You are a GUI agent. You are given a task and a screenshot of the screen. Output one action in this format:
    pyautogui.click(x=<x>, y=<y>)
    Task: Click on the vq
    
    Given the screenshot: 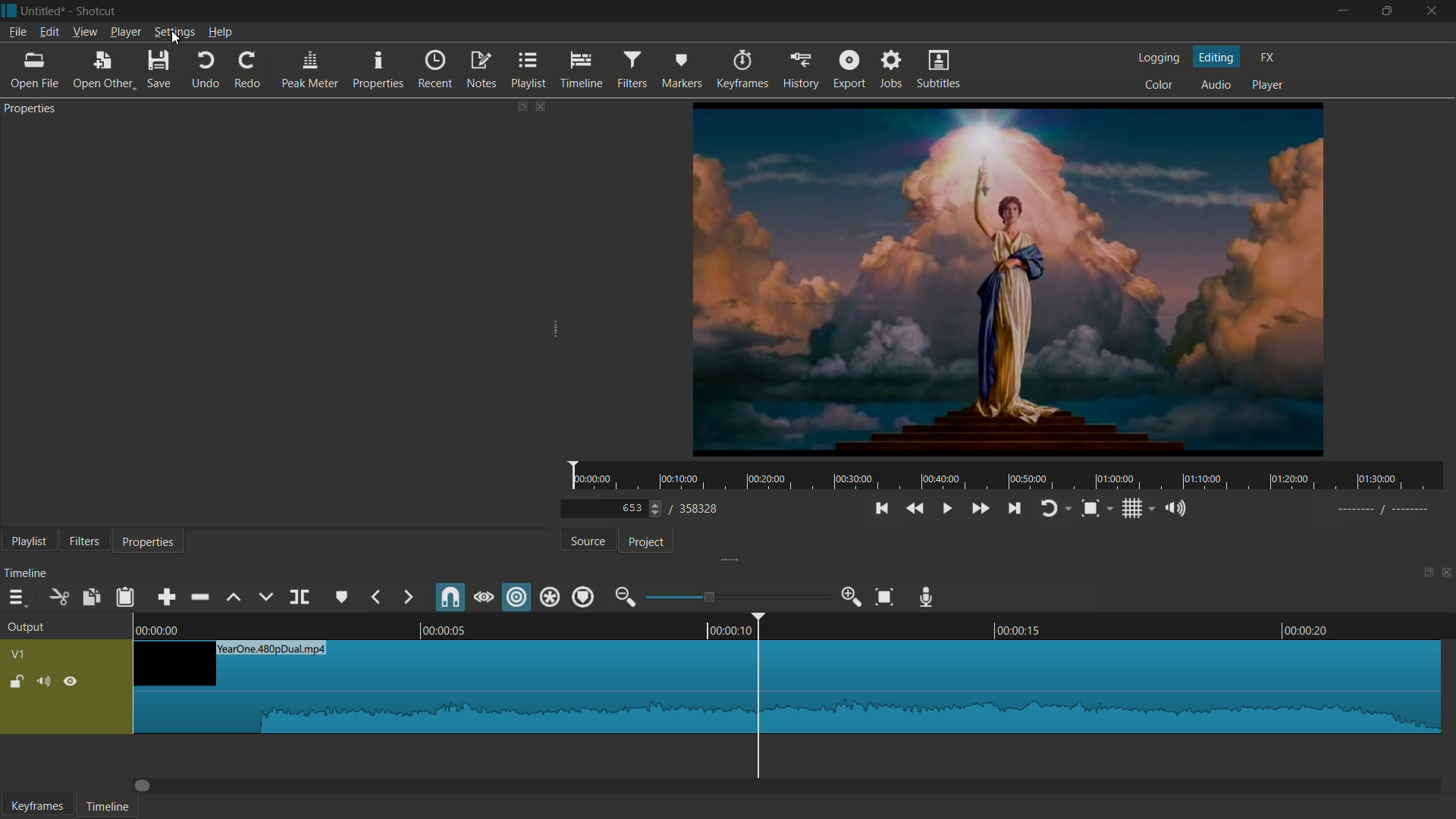 What is the action you would take?
    pyautogui.click(x=19, y=654)
    